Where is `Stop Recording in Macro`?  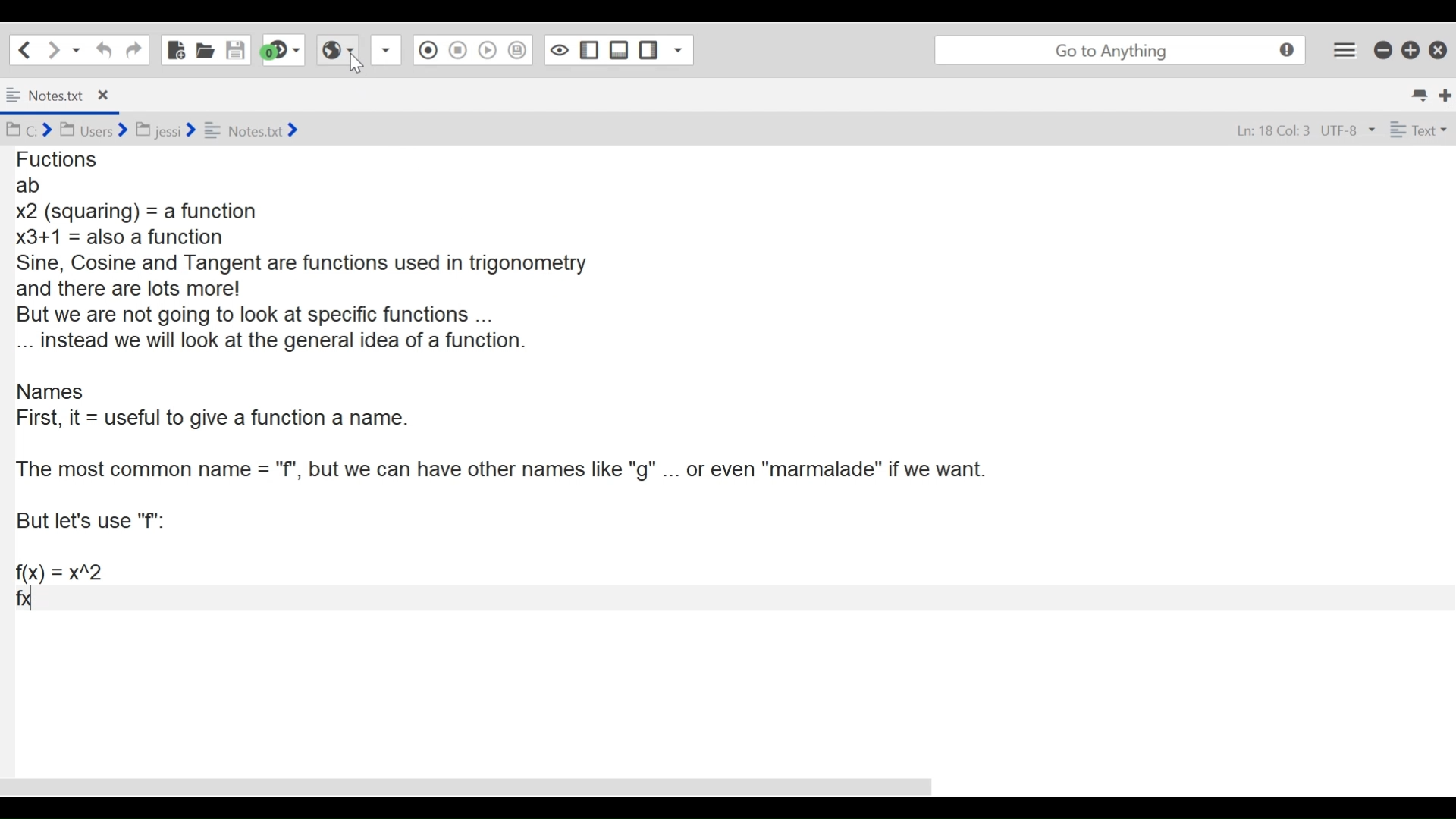
Stop Recording in Macro is located at coordinates (458, 50).